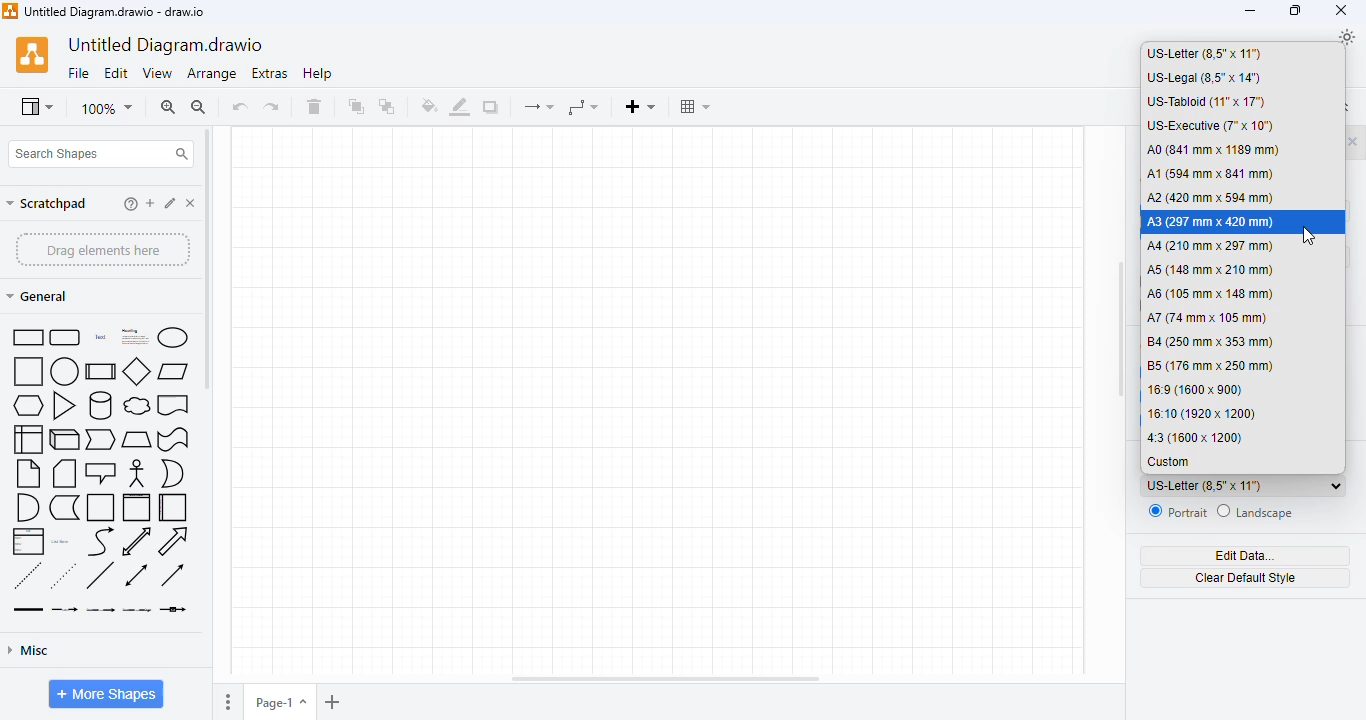  What do you see at coordinates (28, 473) in the screenshot?
I see `note` at bounding box center [28, 473].